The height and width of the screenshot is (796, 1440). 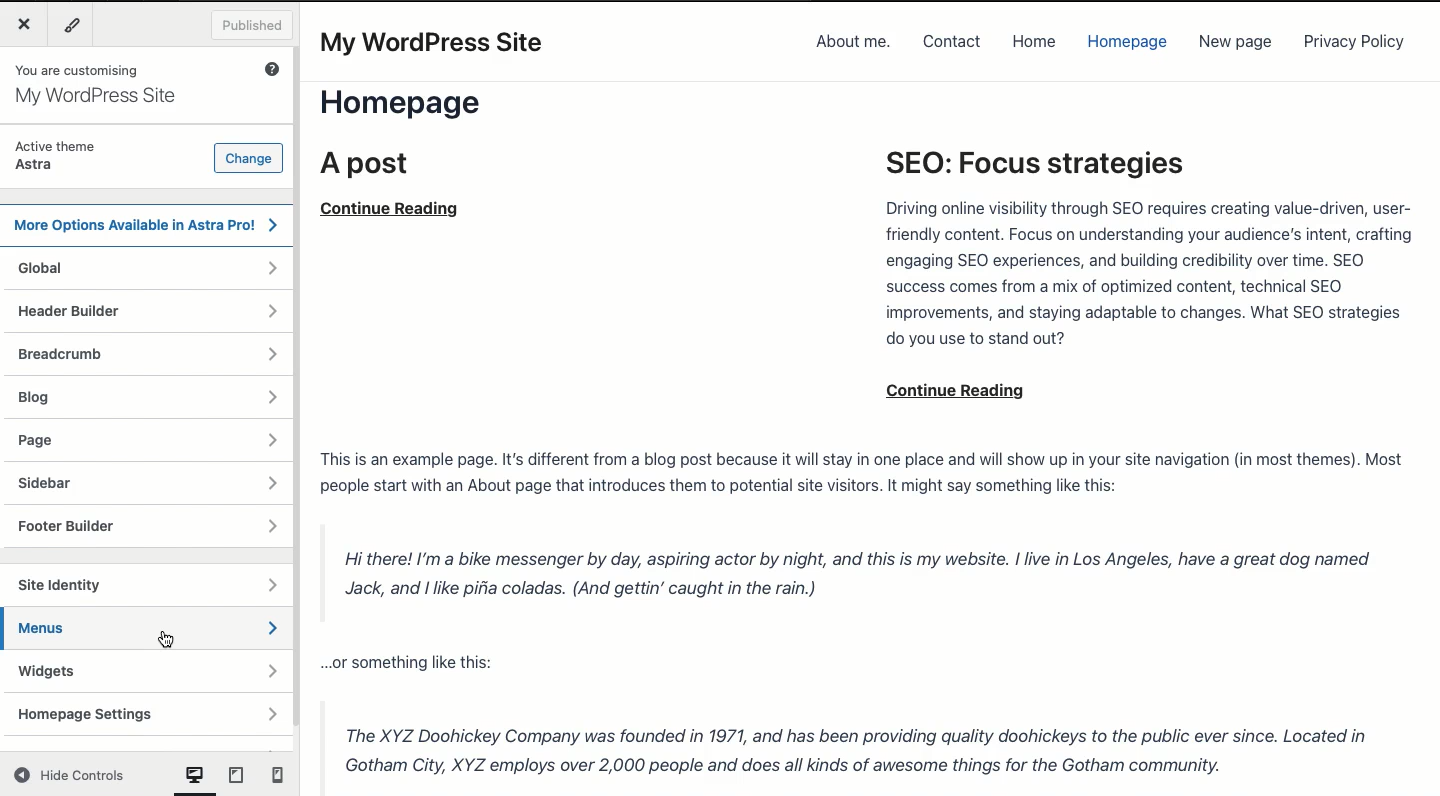 What do you see at coordinates (103, 85) in the screenshot?
I see `You are customizing ` at bounding box center [103, 85].